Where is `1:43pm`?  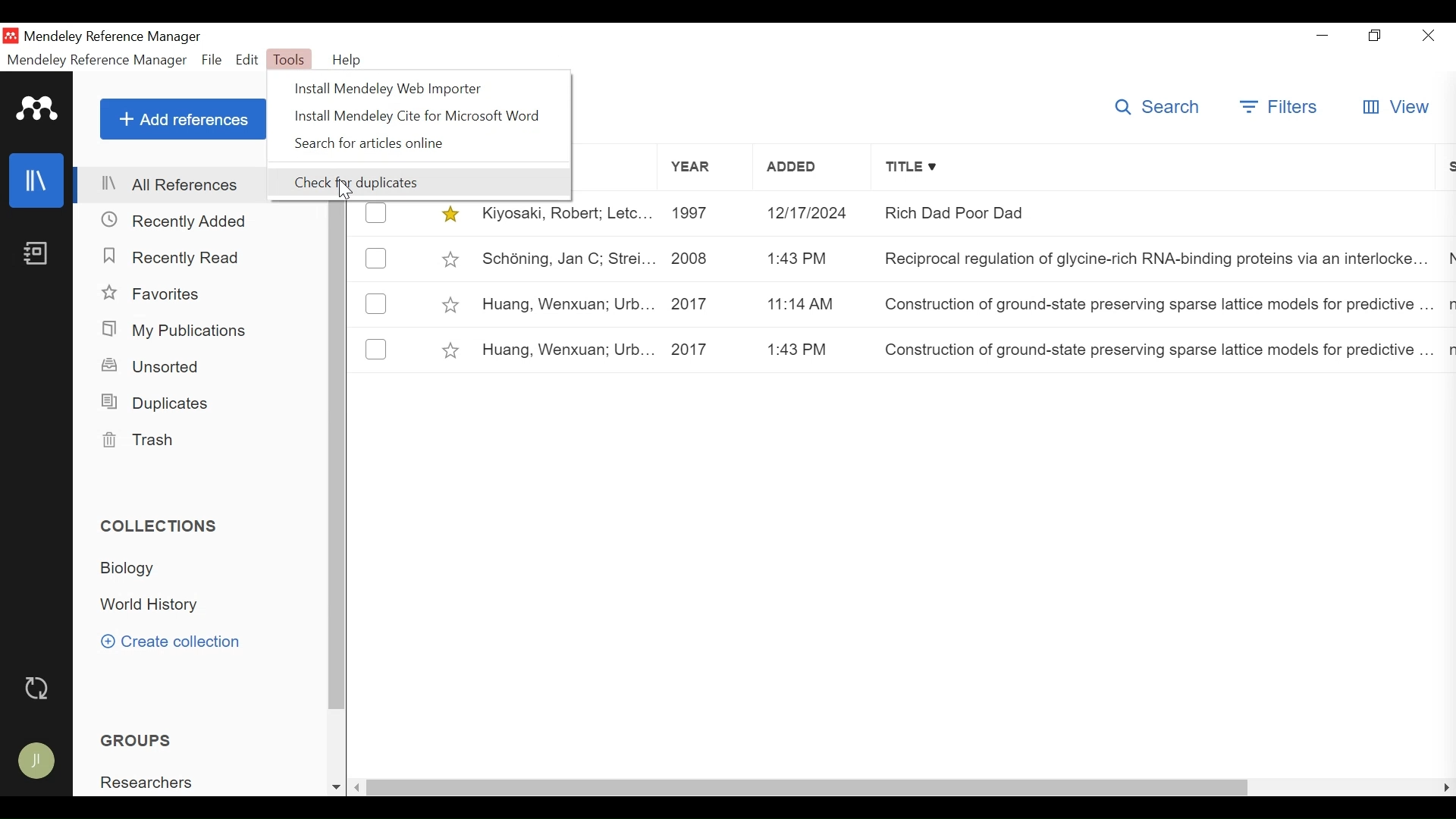
1:43pm is located at coordinates (808, 259).